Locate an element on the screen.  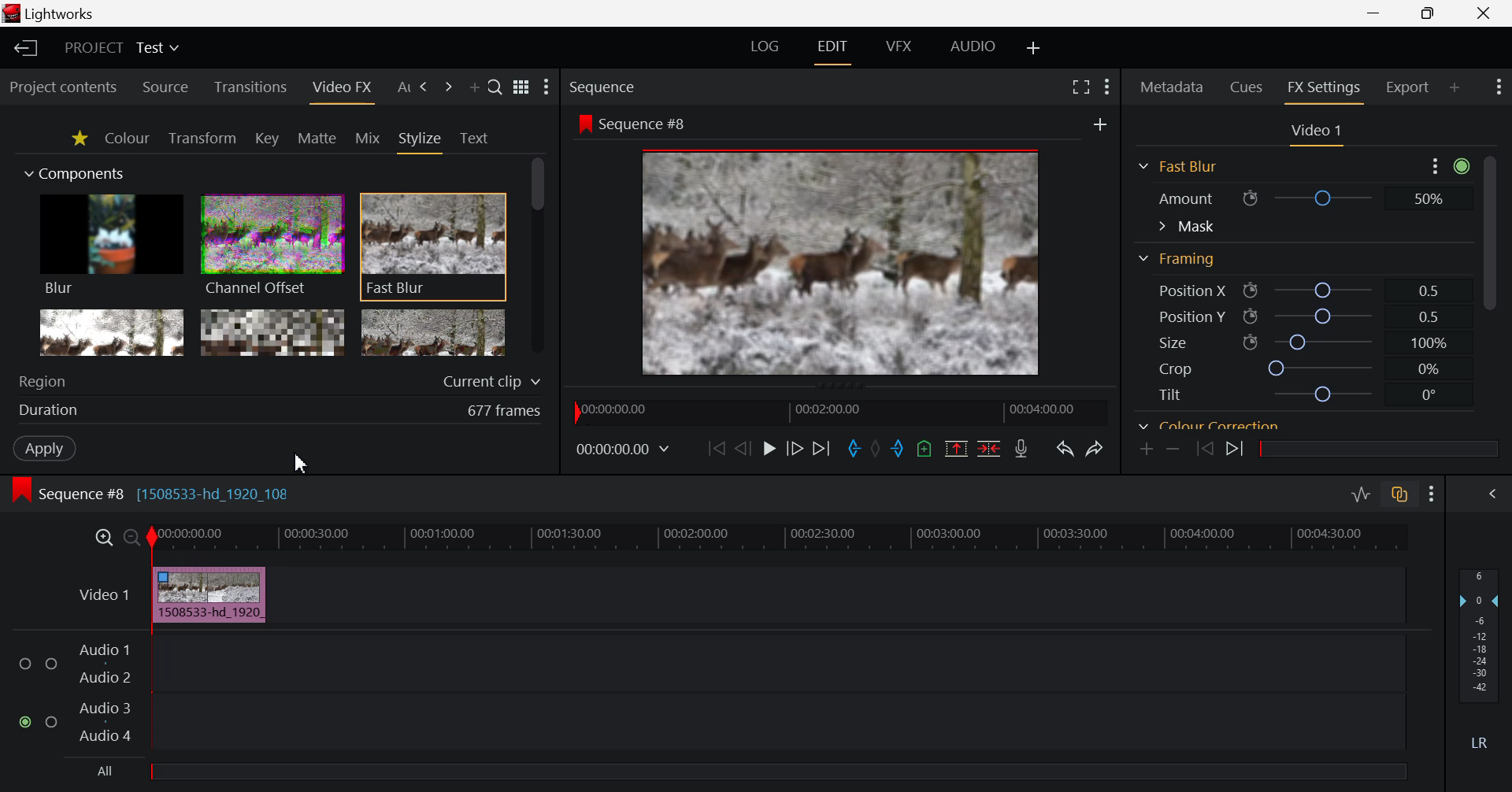
Add is located at coordinates (1101, 124).